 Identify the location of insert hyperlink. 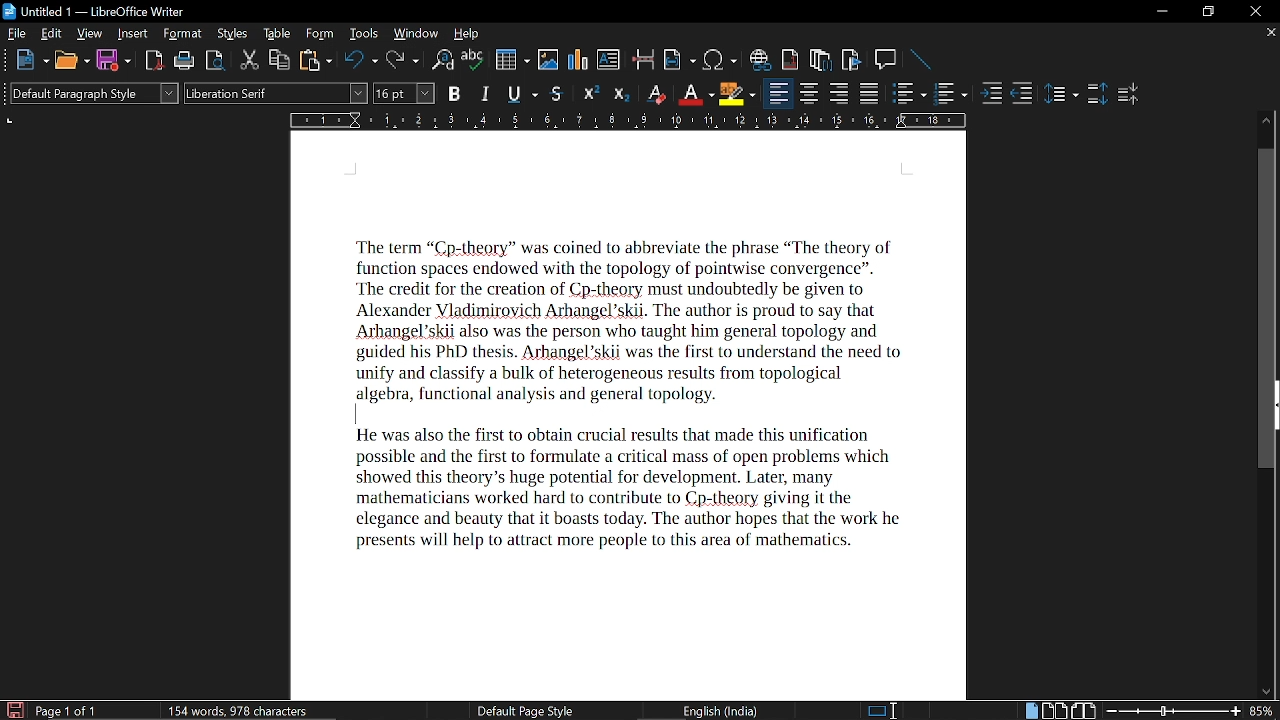
(760, 61).